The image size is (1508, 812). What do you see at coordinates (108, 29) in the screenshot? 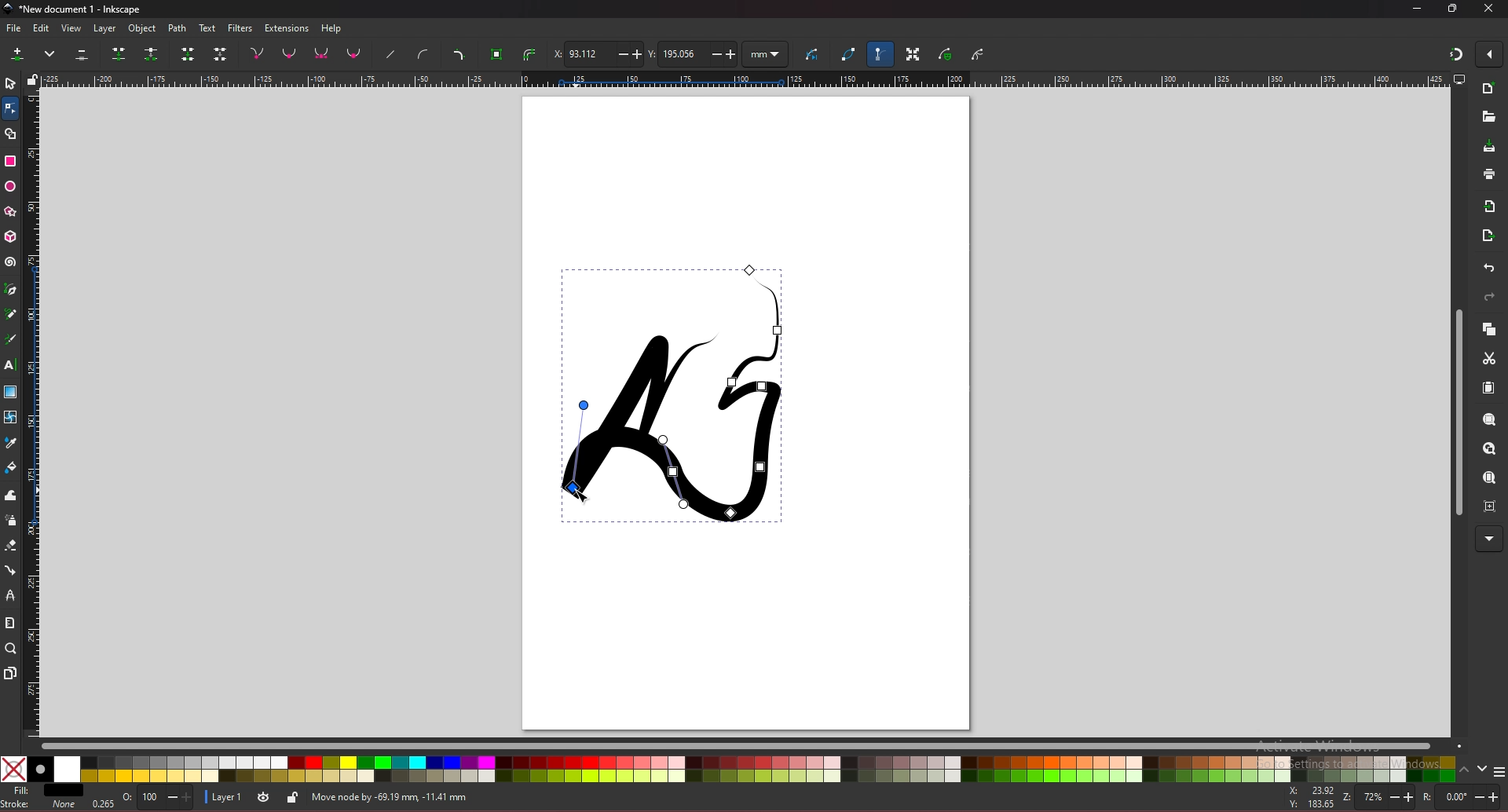
I see `layer` at bounding box center [108, 29].